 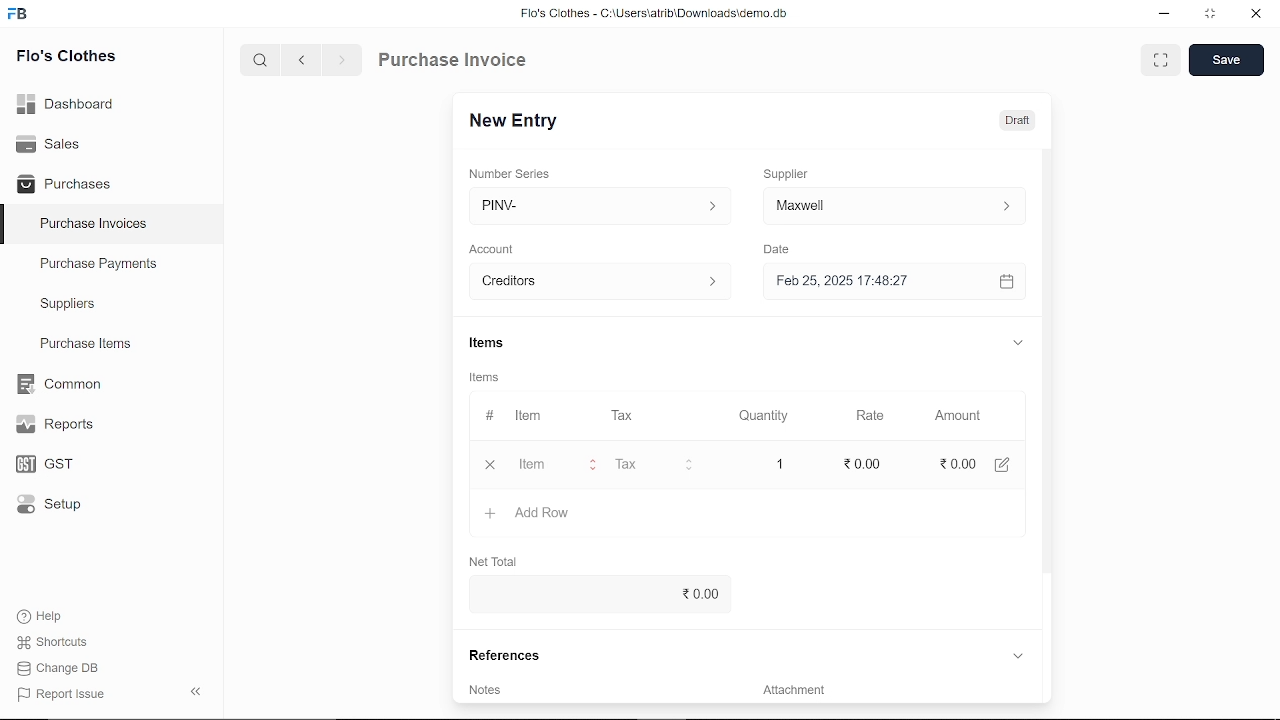 I want to click on J Report Issue, so click(x=58, y=694).